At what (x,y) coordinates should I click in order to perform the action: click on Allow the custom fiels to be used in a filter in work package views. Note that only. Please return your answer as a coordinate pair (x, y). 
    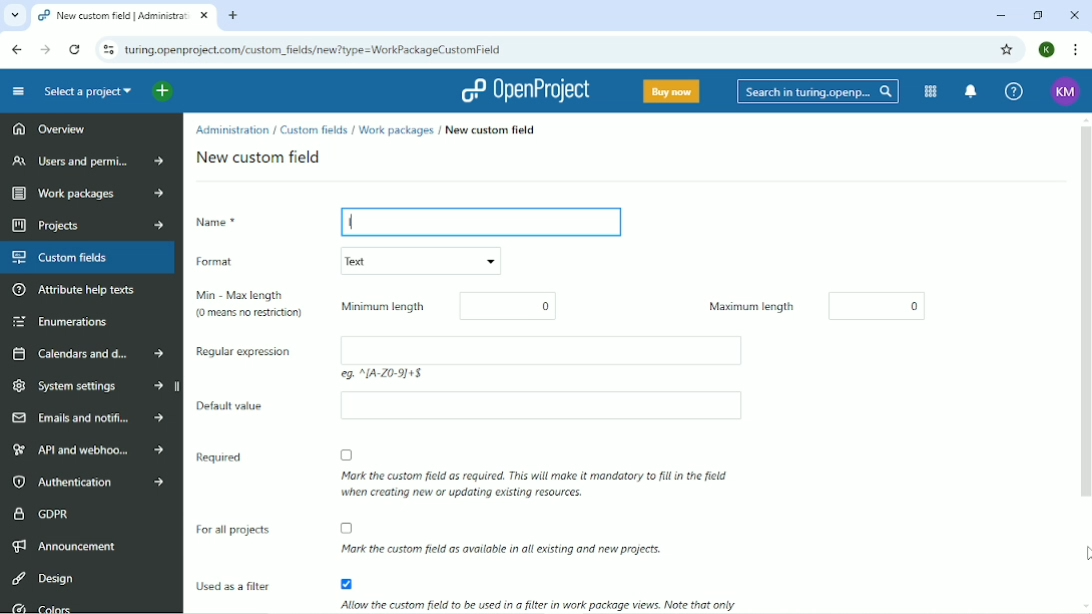
    Looking at the image, I should click on (531, 593).